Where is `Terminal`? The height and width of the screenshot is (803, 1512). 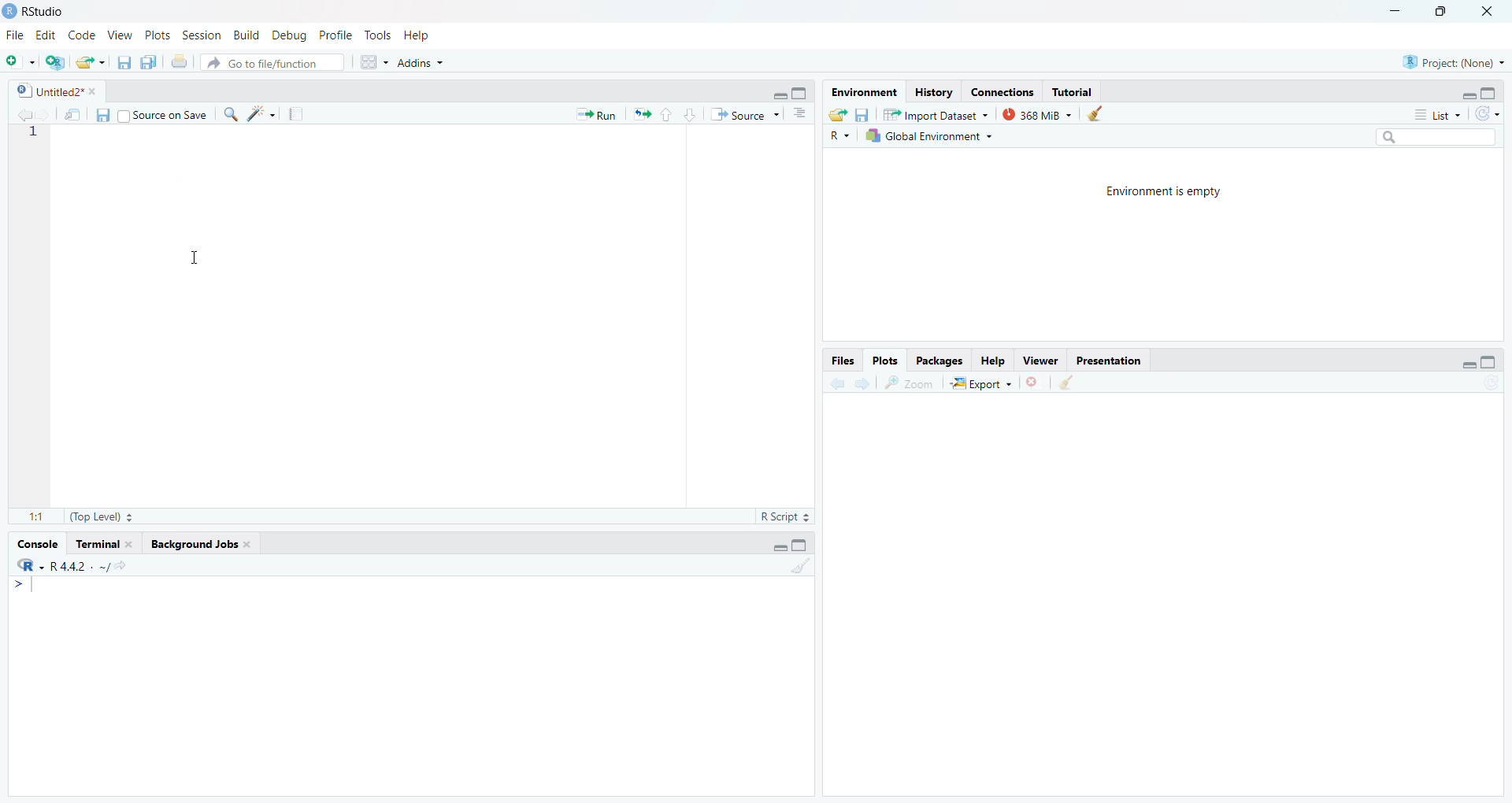 Terminal is located at coordinates (106, 544).